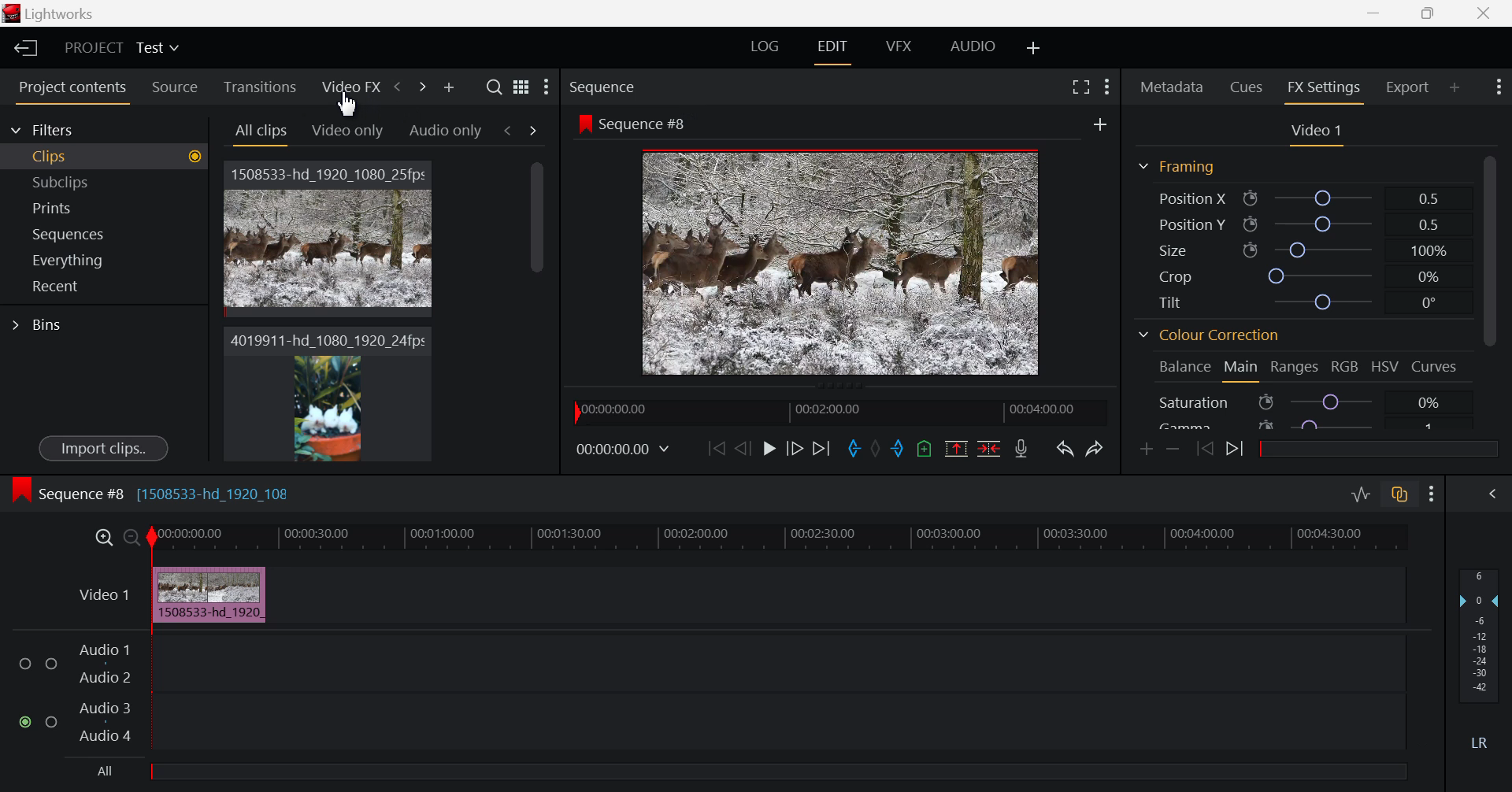 Image resolution: width=1512 pixels, height=792 pixels. Describe the element at coordinates (521, 87) in the screenshot. I see `Toggle list and title view` at that location.